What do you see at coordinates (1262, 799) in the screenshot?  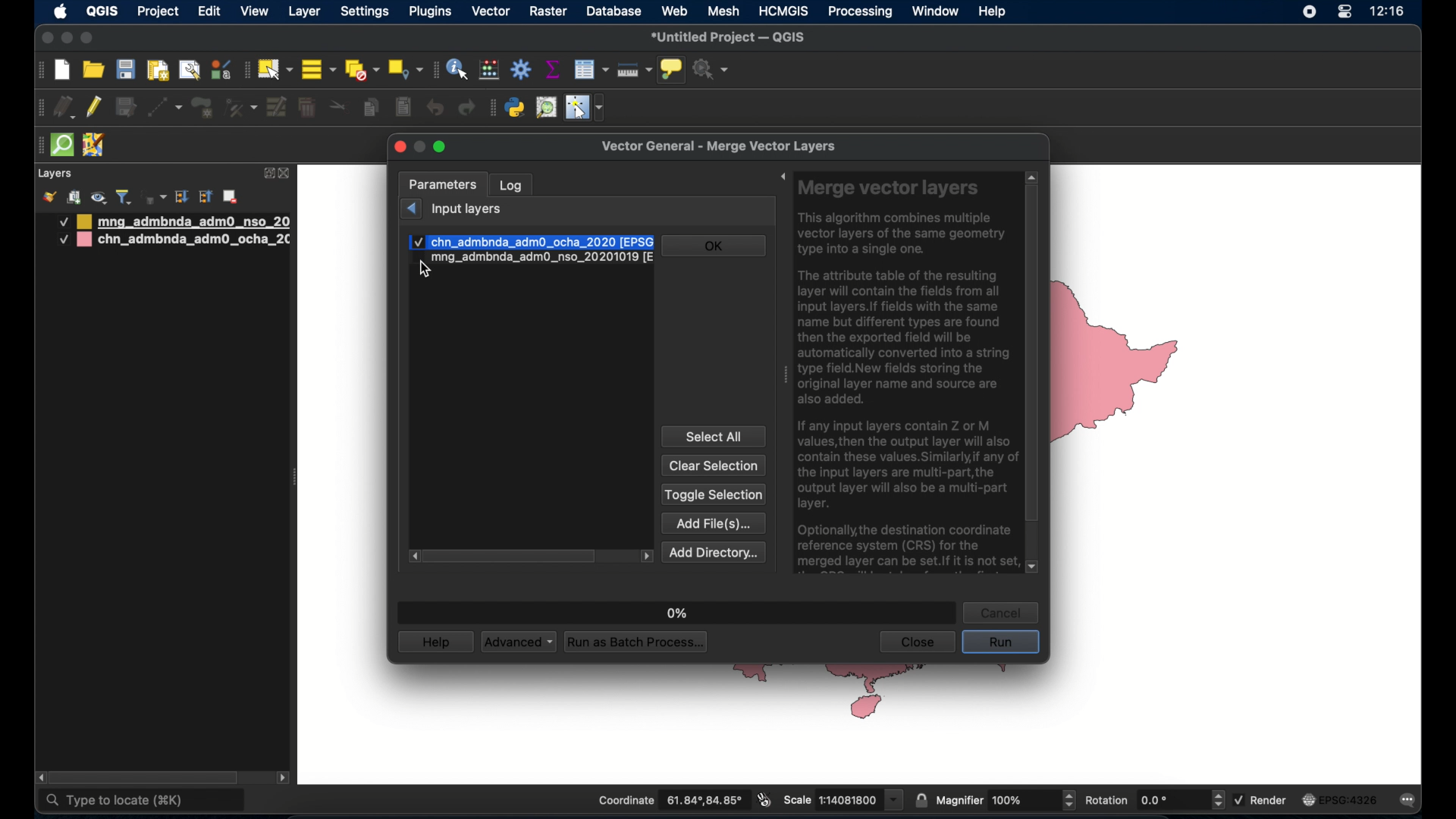 I see `render` at bounding box center [1262, 799].